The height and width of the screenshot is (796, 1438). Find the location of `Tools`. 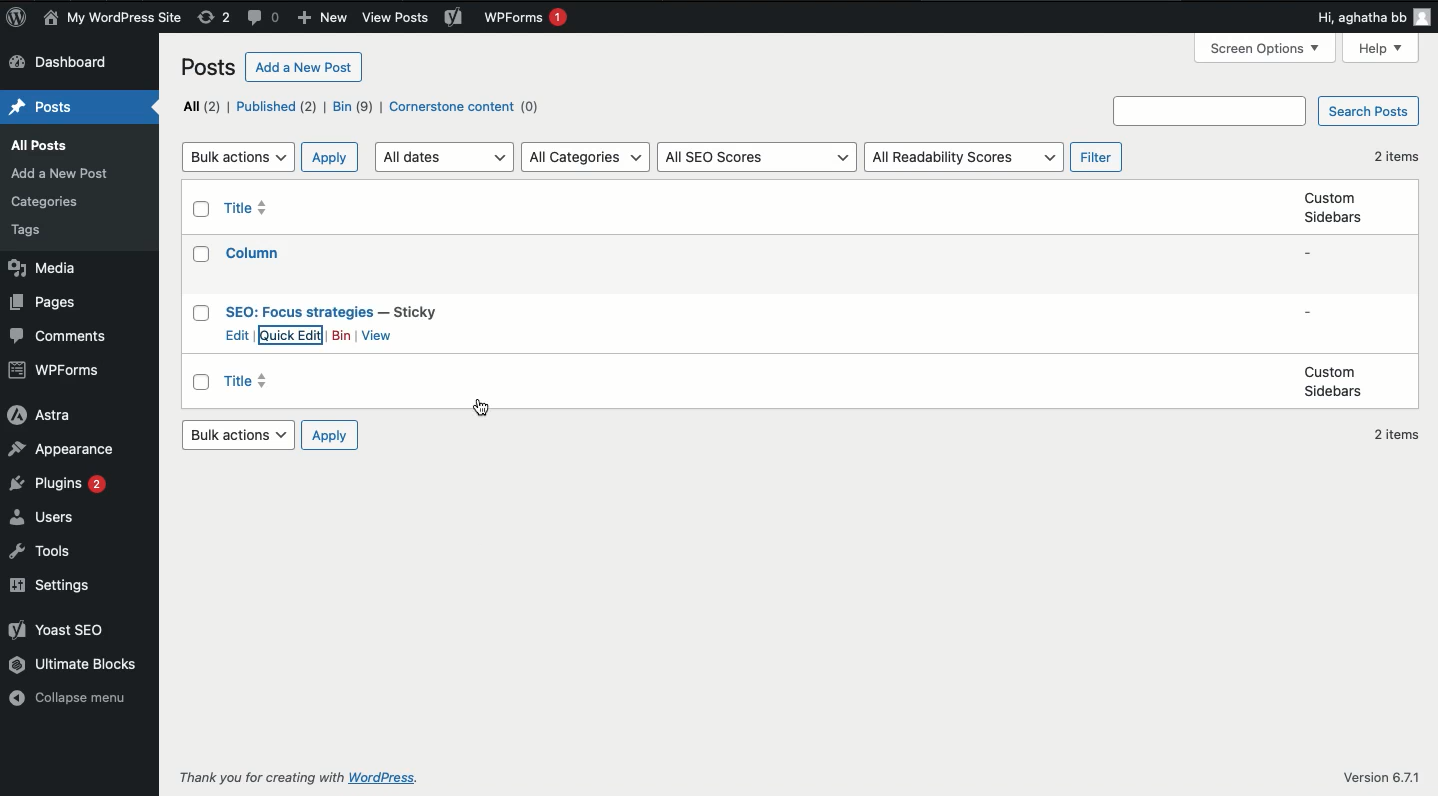

Tools is located at coordinates (46, 553).